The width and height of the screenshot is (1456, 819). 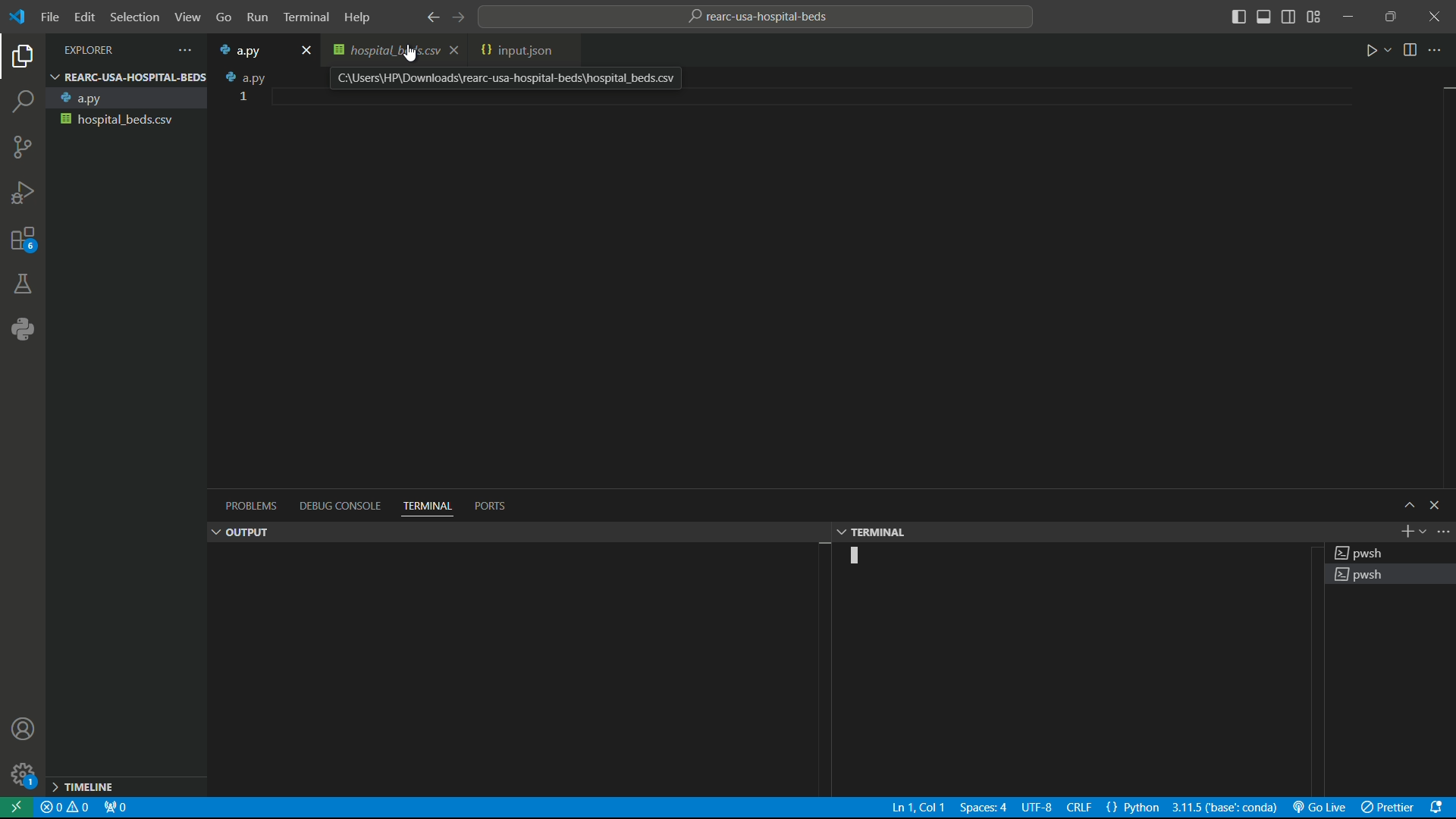 I want to click on toggle secondary side bar, so click(x=1289, y=18).